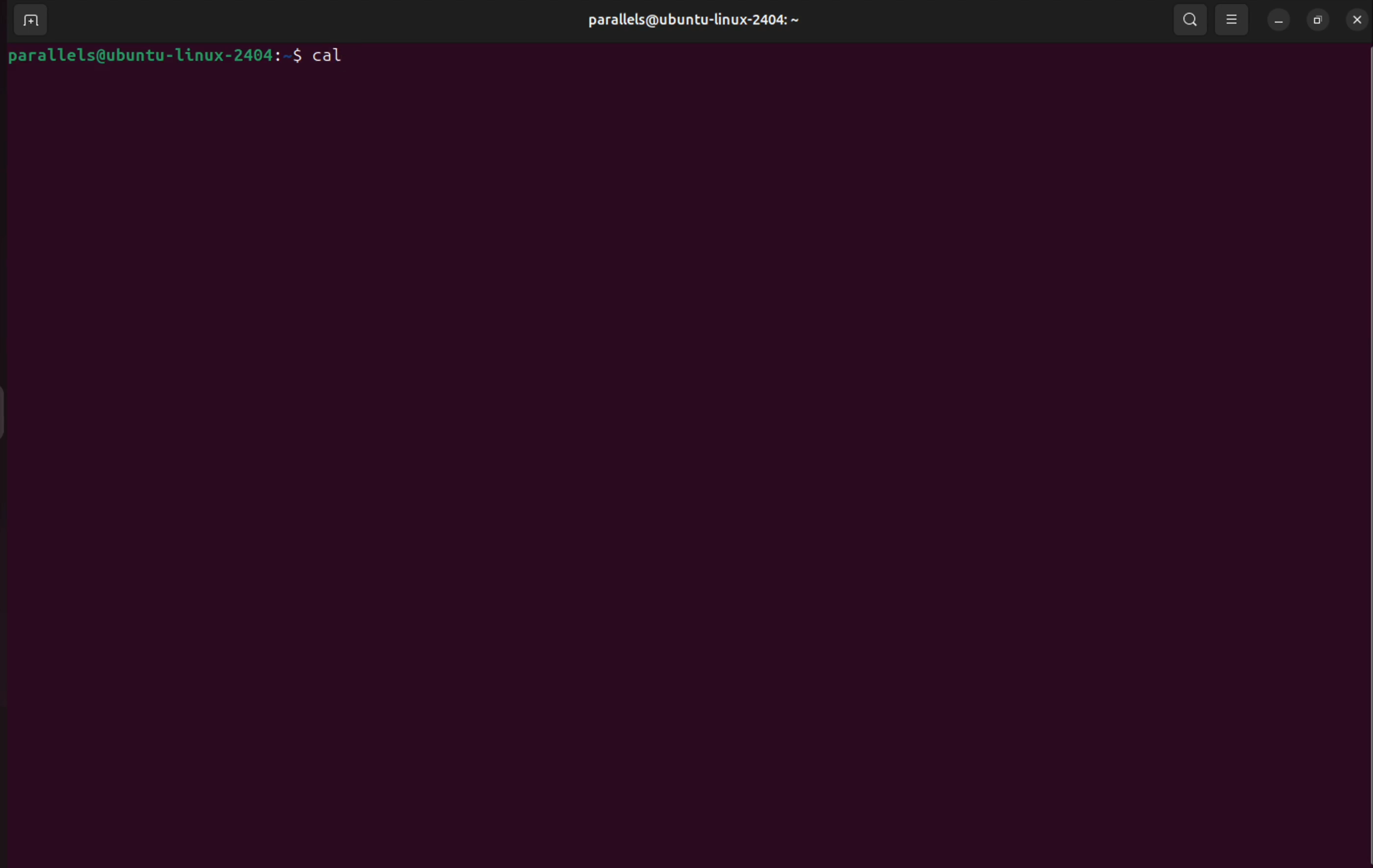  Describe the element at coordinates (1191, 21) in the screenshot. I see `search` at that location.